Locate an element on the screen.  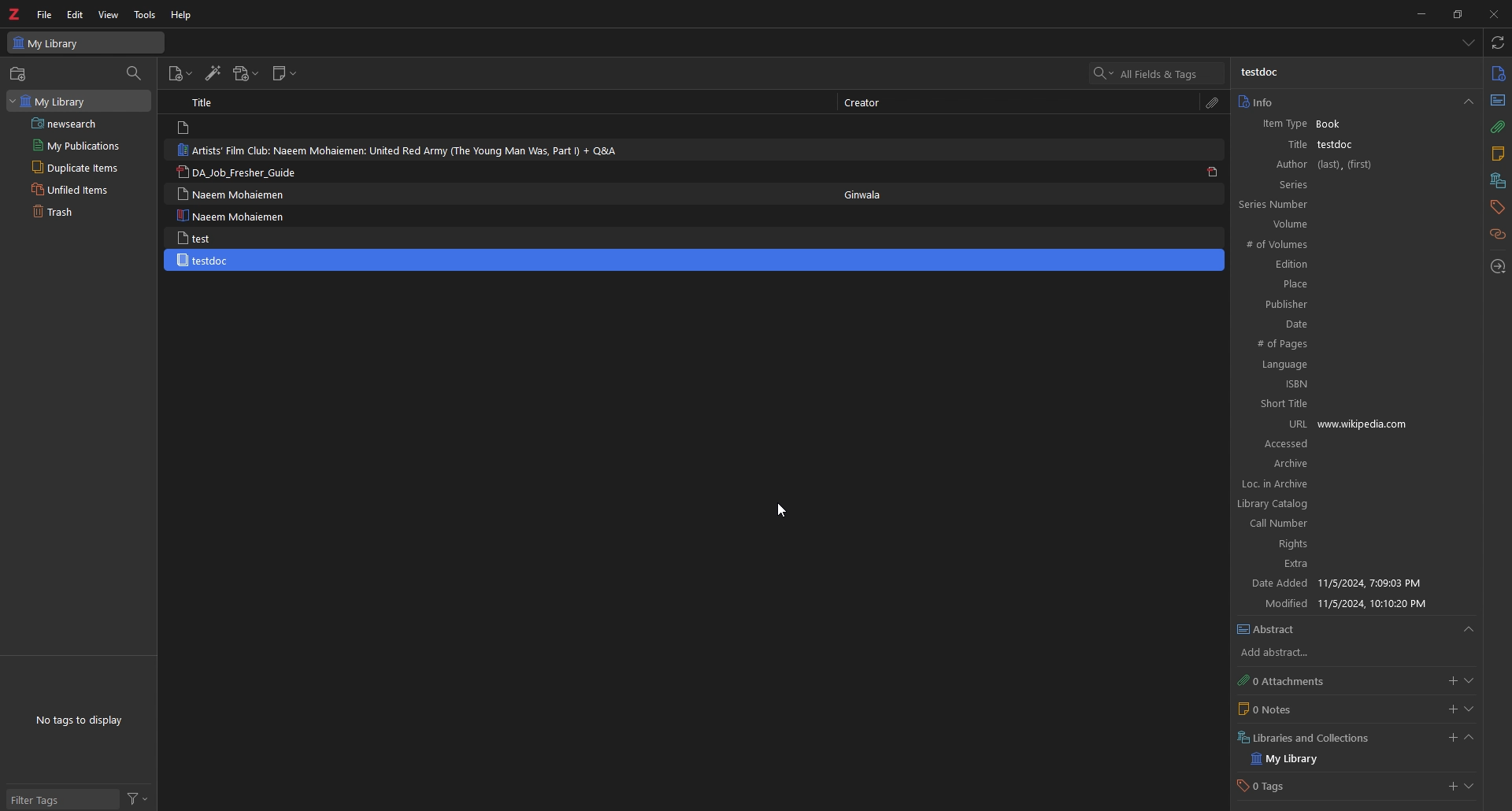
add attachments is located at coordinates (1450, 680).